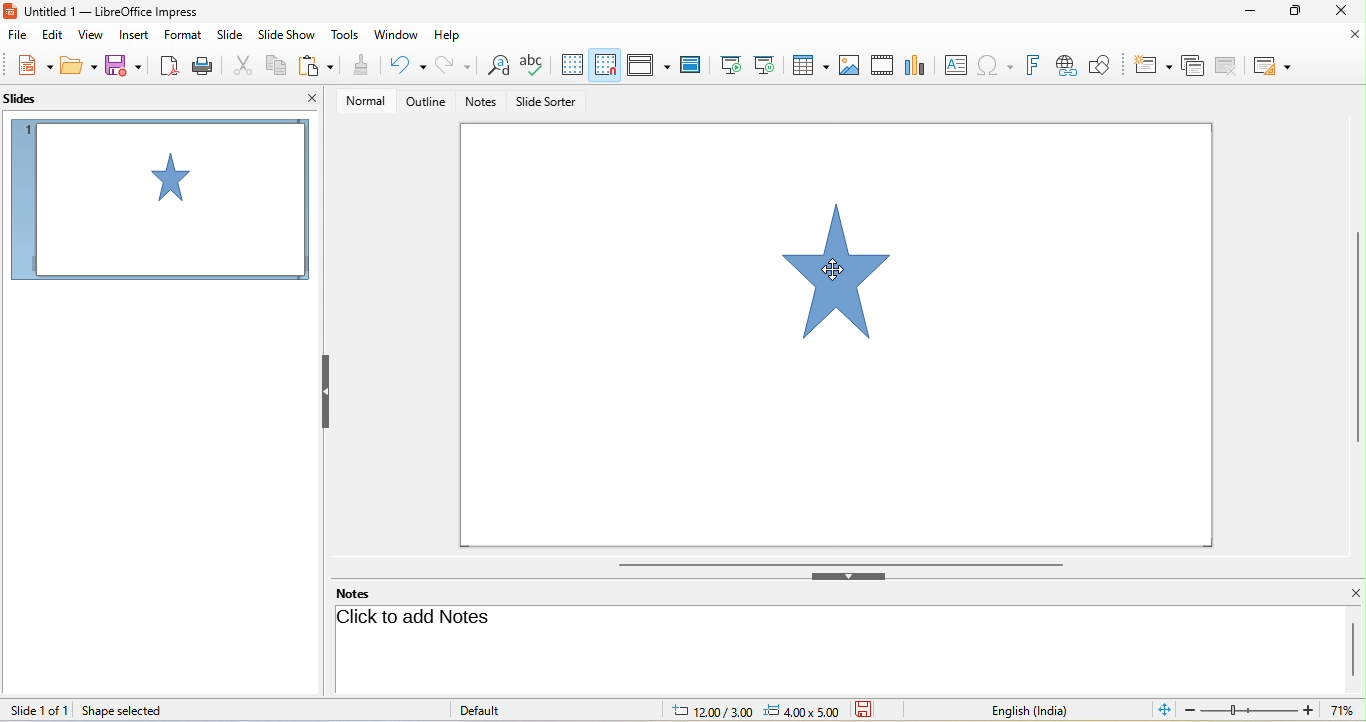 The width and height of the screenshot is (1366, 722). What do you see at coordinates (159, 203) in the screenshot?
I see `slide1` at bounding box center [159, 203].